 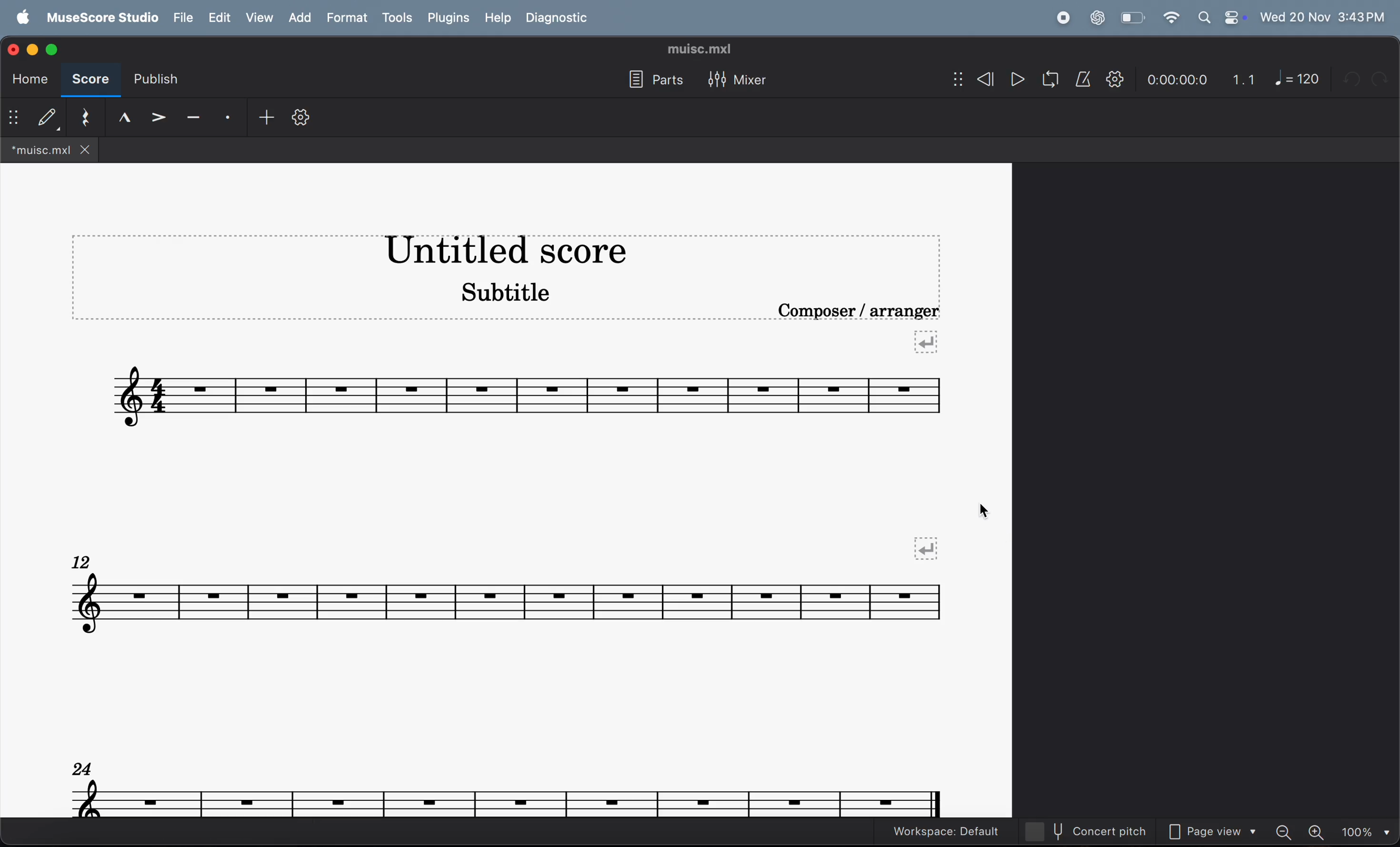 I want to click on add, so click(x=299, y=17).